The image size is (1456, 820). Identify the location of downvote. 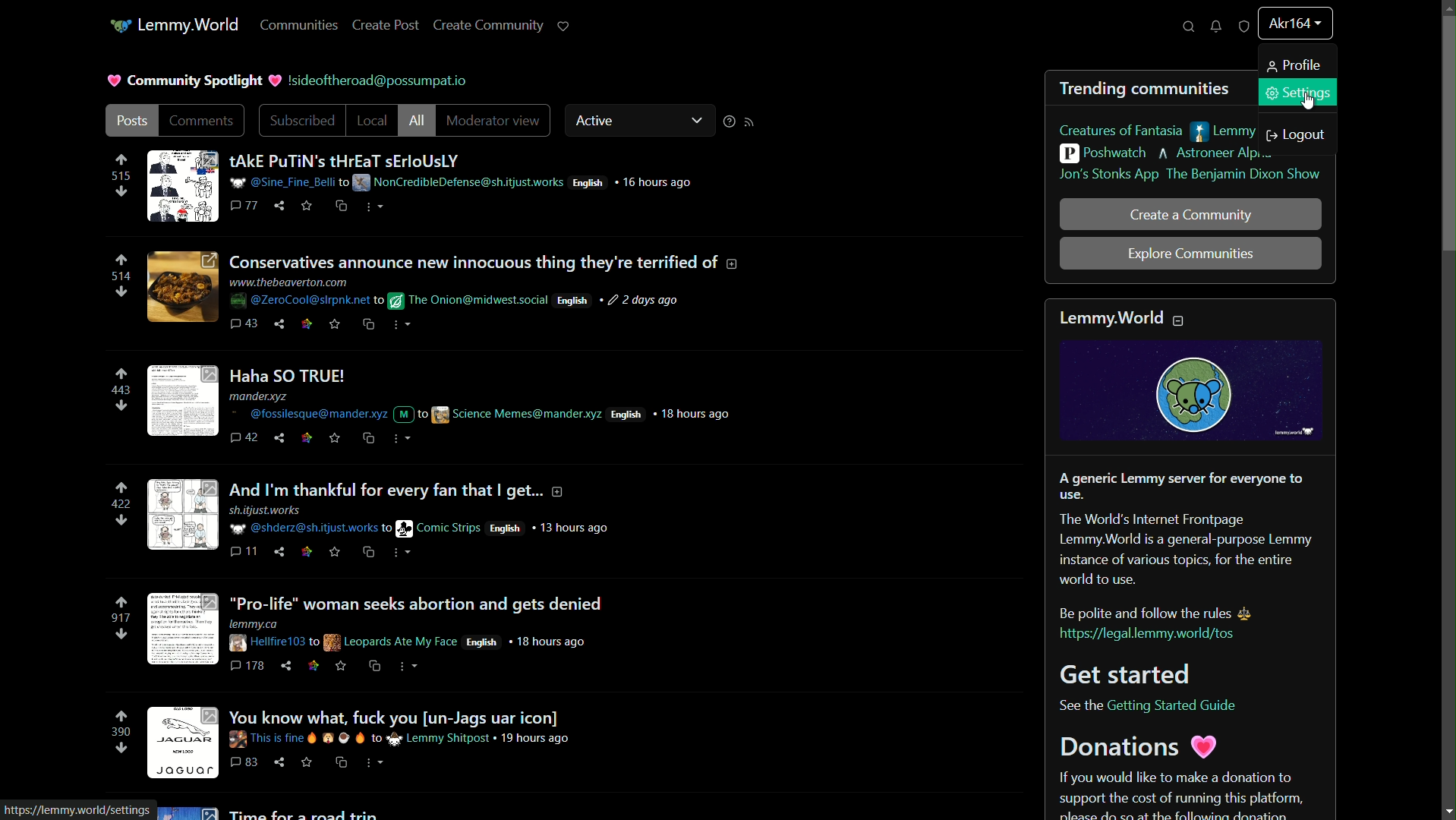
(121, 521).